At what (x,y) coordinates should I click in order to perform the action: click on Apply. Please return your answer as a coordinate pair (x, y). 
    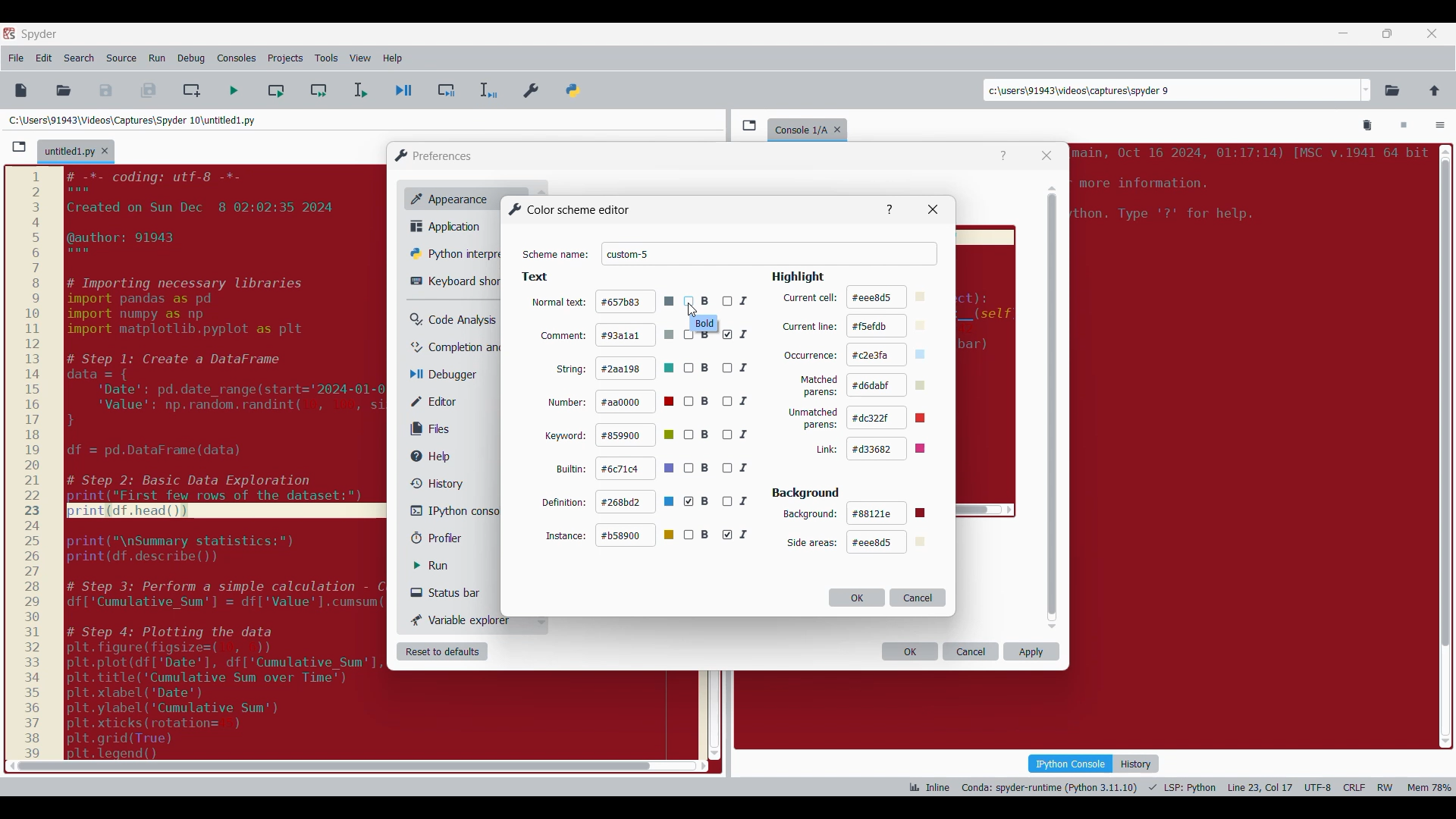
    Looking at the image, I should click on (1031, 651).